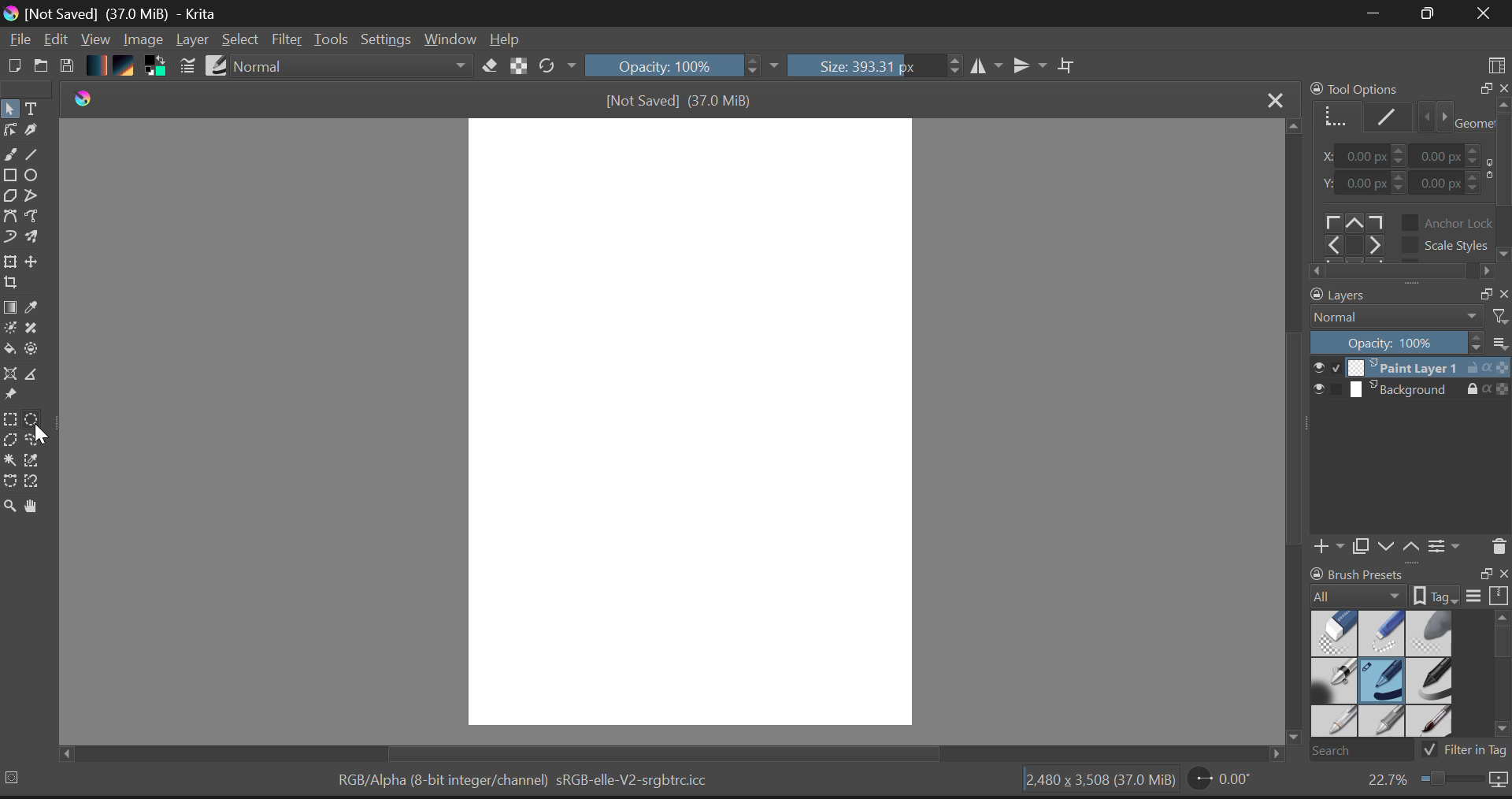  I want to click on Lock Alpha, so click(516, 67).